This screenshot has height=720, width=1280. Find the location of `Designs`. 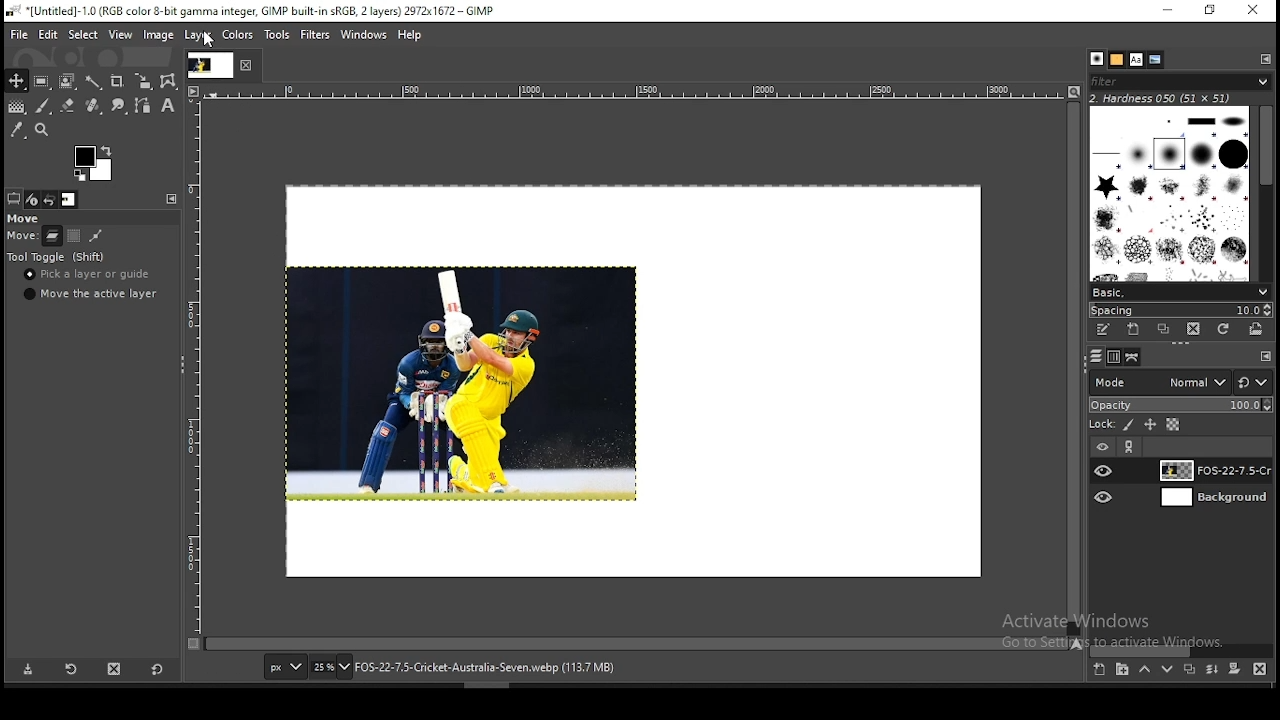

Designs is located at coordinates (1171, 192).